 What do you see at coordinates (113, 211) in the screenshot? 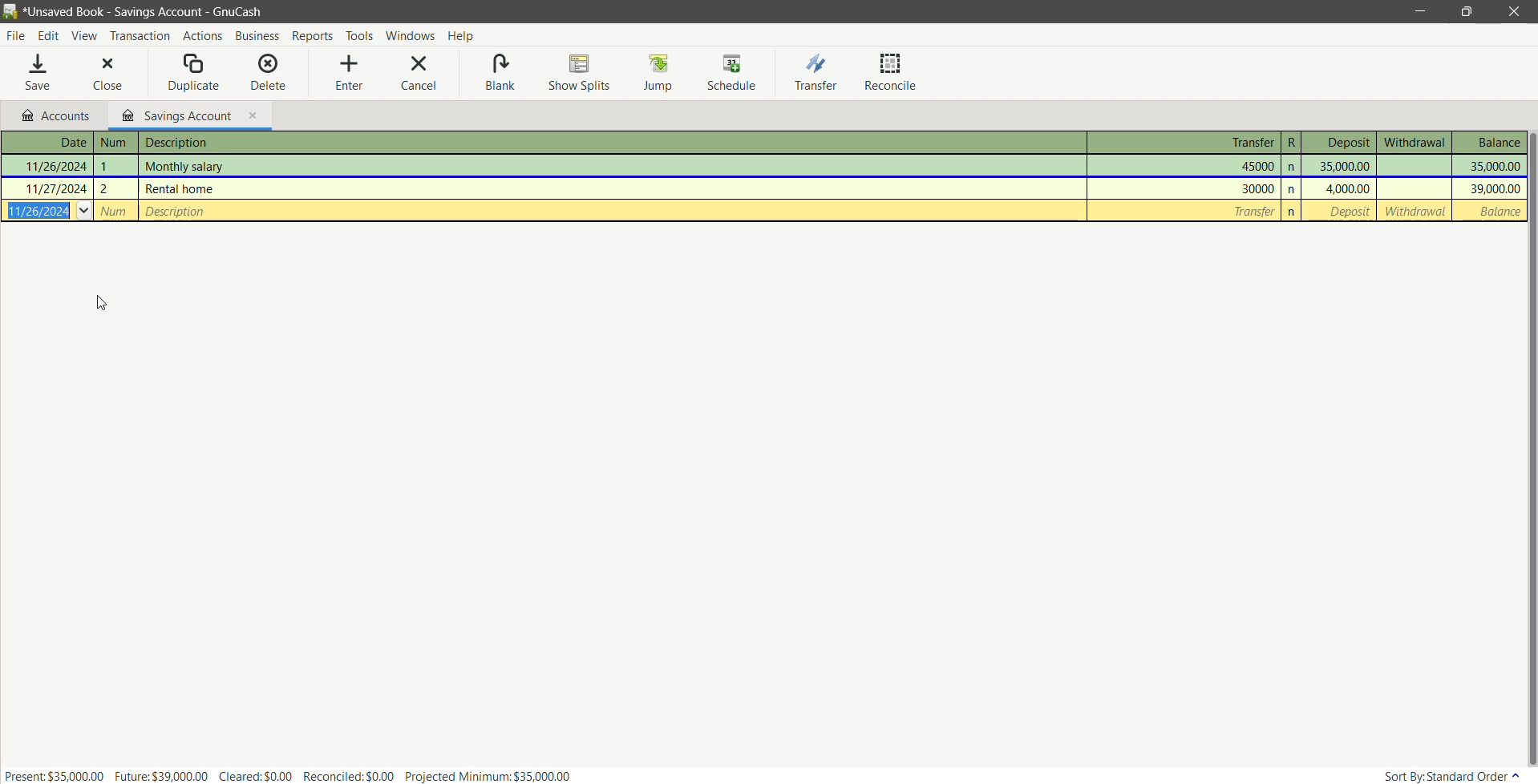
I see `Num` at bounding box center [113, 211].